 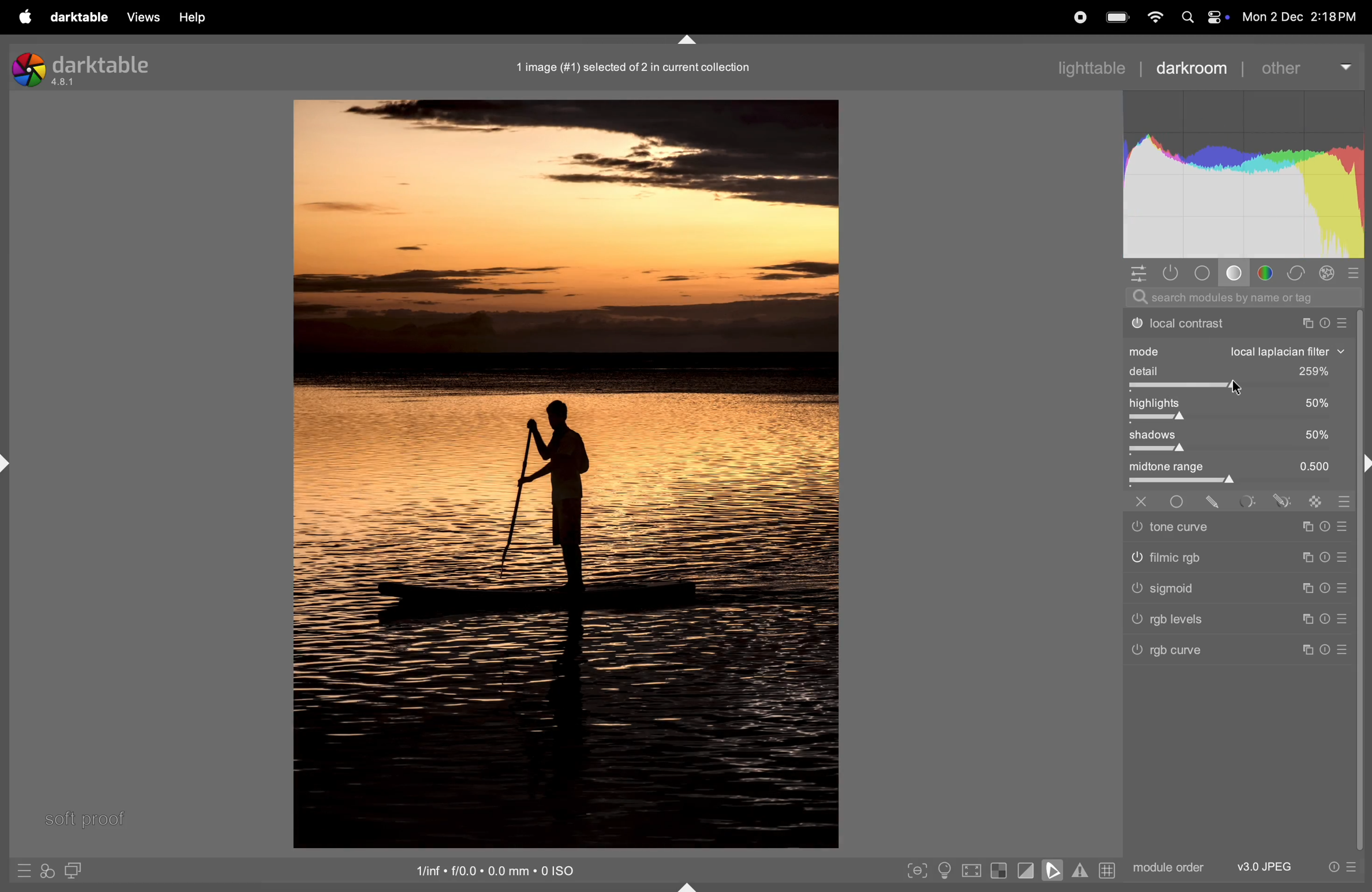 What do you see at coordinates (1234, 273) in the screenshot?
I see `tone` at bounding box center [1234, 273].